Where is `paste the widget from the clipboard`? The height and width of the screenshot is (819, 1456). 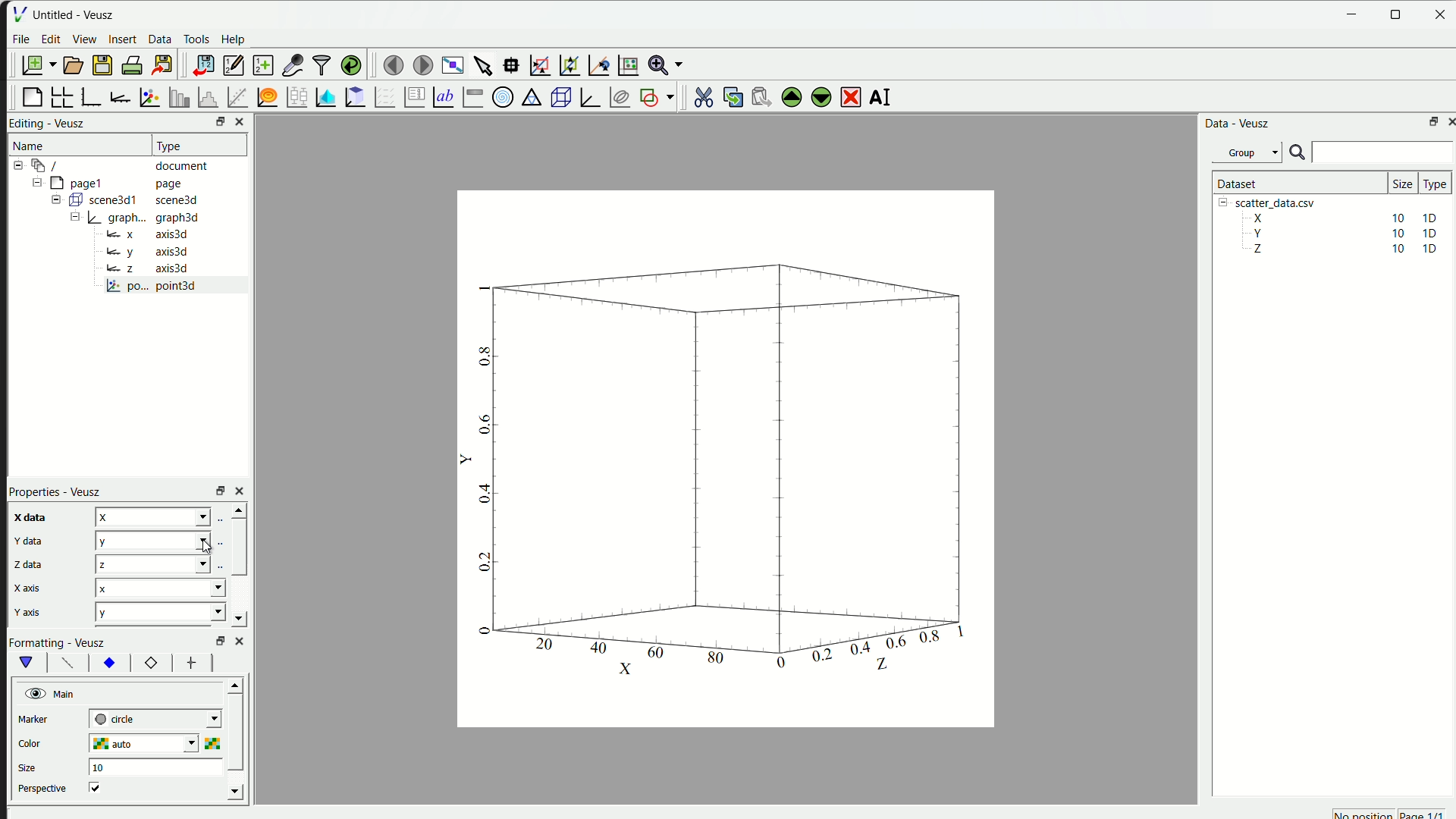 paste the widget from the clipboard is located at coordinates (756, 97).